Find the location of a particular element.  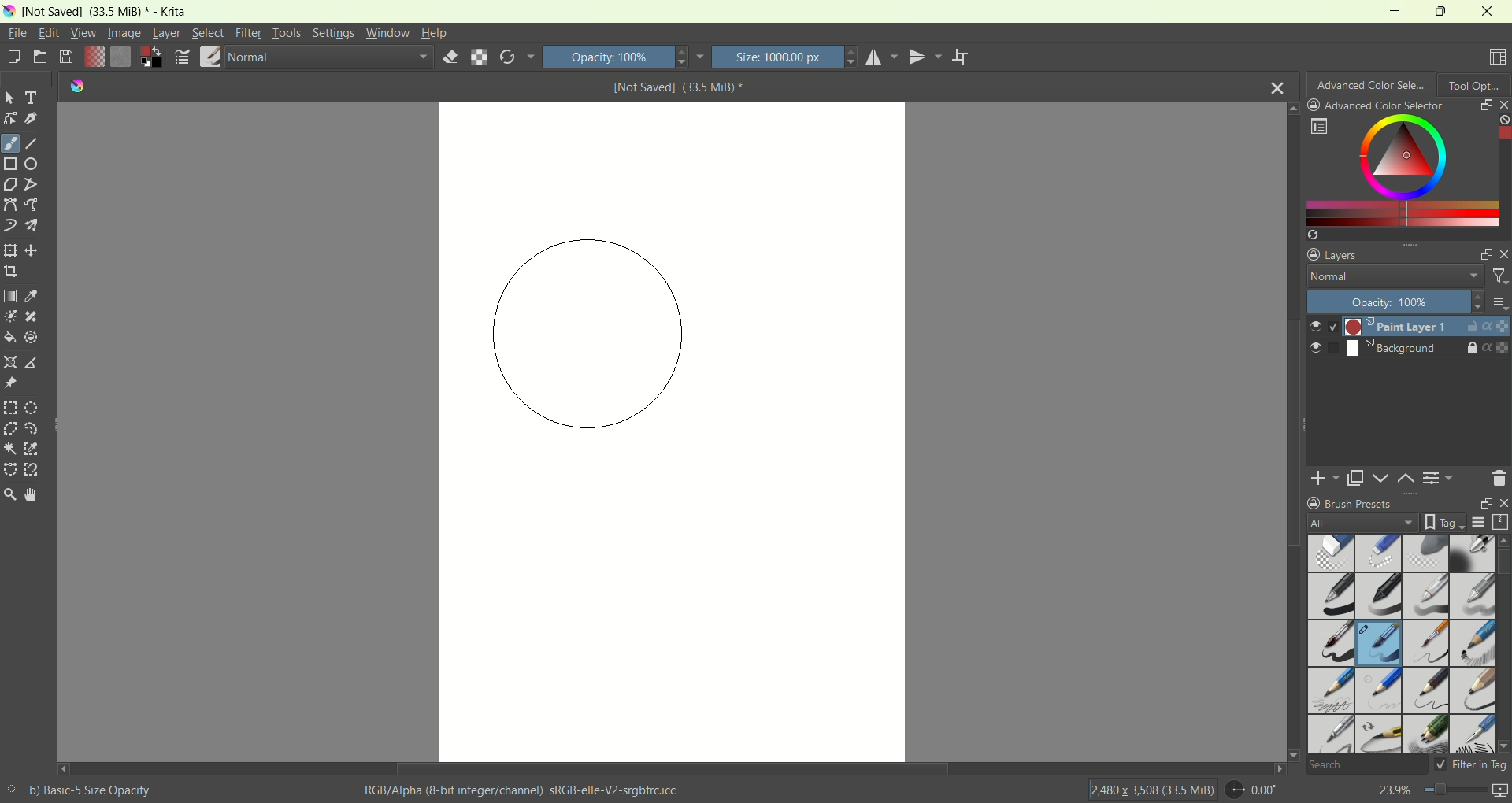

move layer down is located at coordinates (1382, 478).